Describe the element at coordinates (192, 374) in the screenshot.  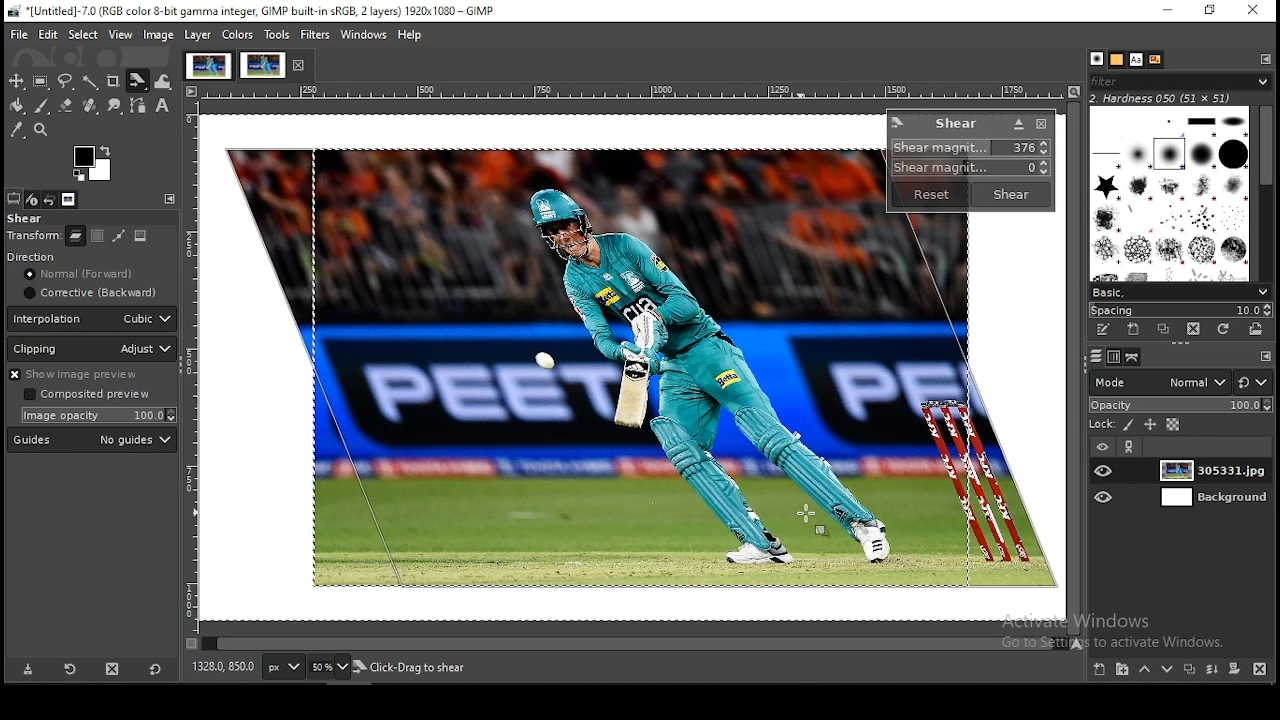
I see `vertical scale` at that location.